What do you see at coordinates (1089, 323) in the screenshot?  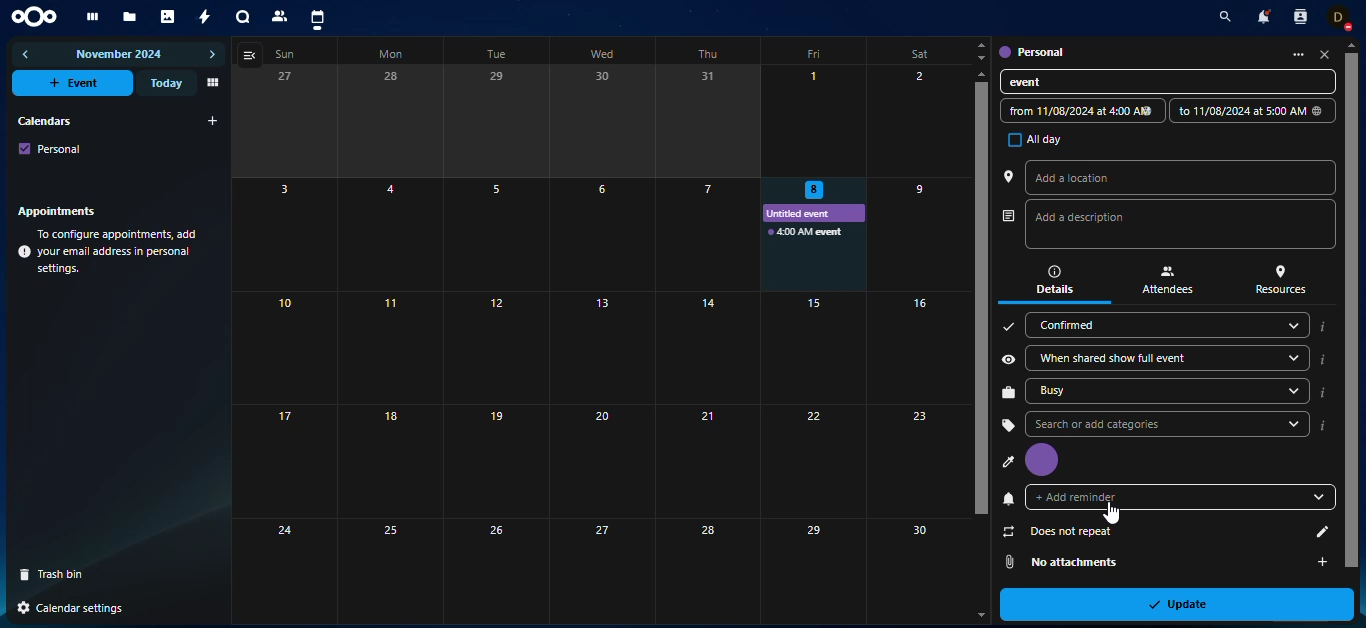 I see `confirmed` at bounding box center [1089, 323].